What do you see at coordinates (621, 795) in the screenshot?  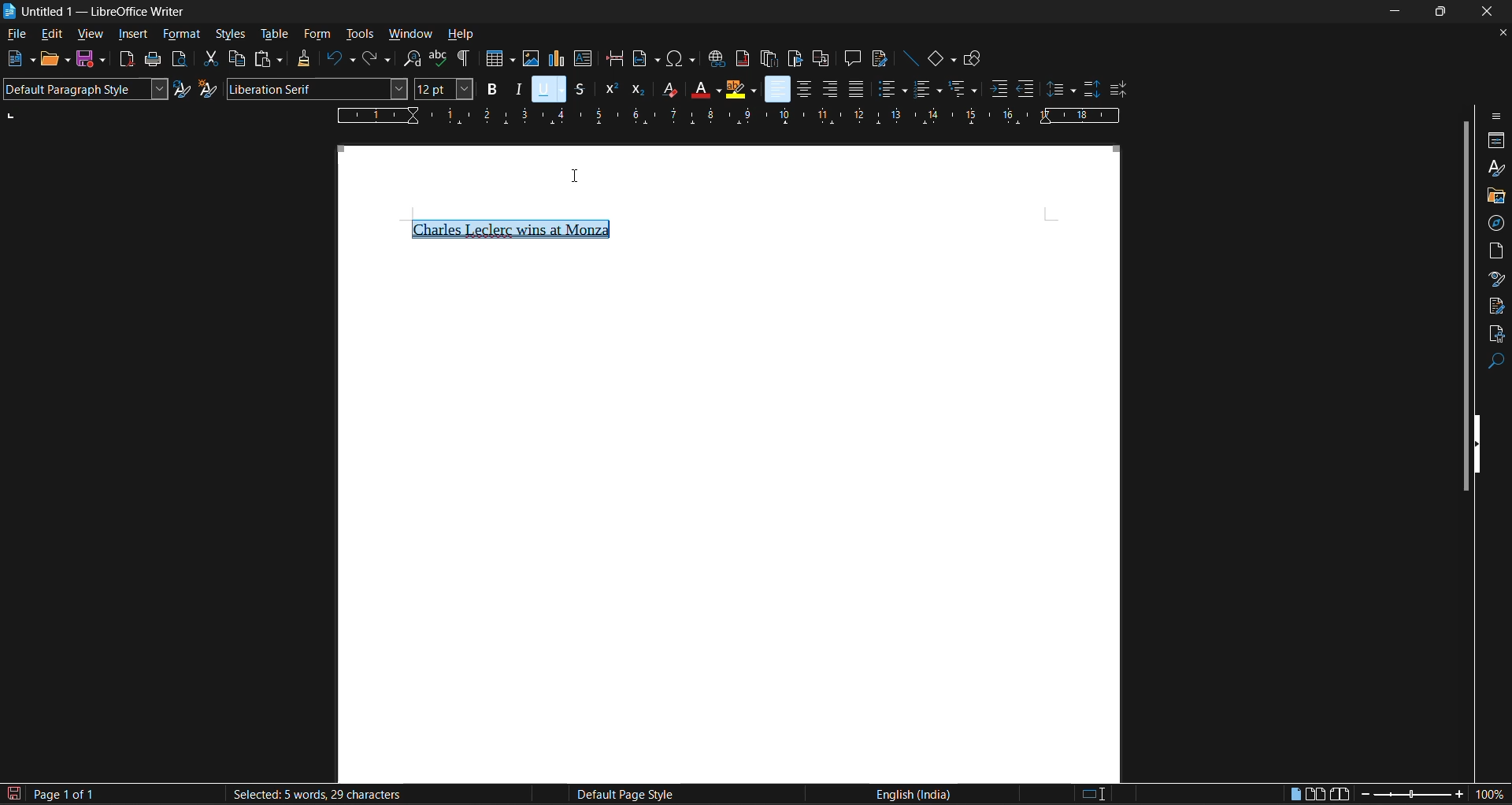 I see `page style` at bounding box center [621, 795].